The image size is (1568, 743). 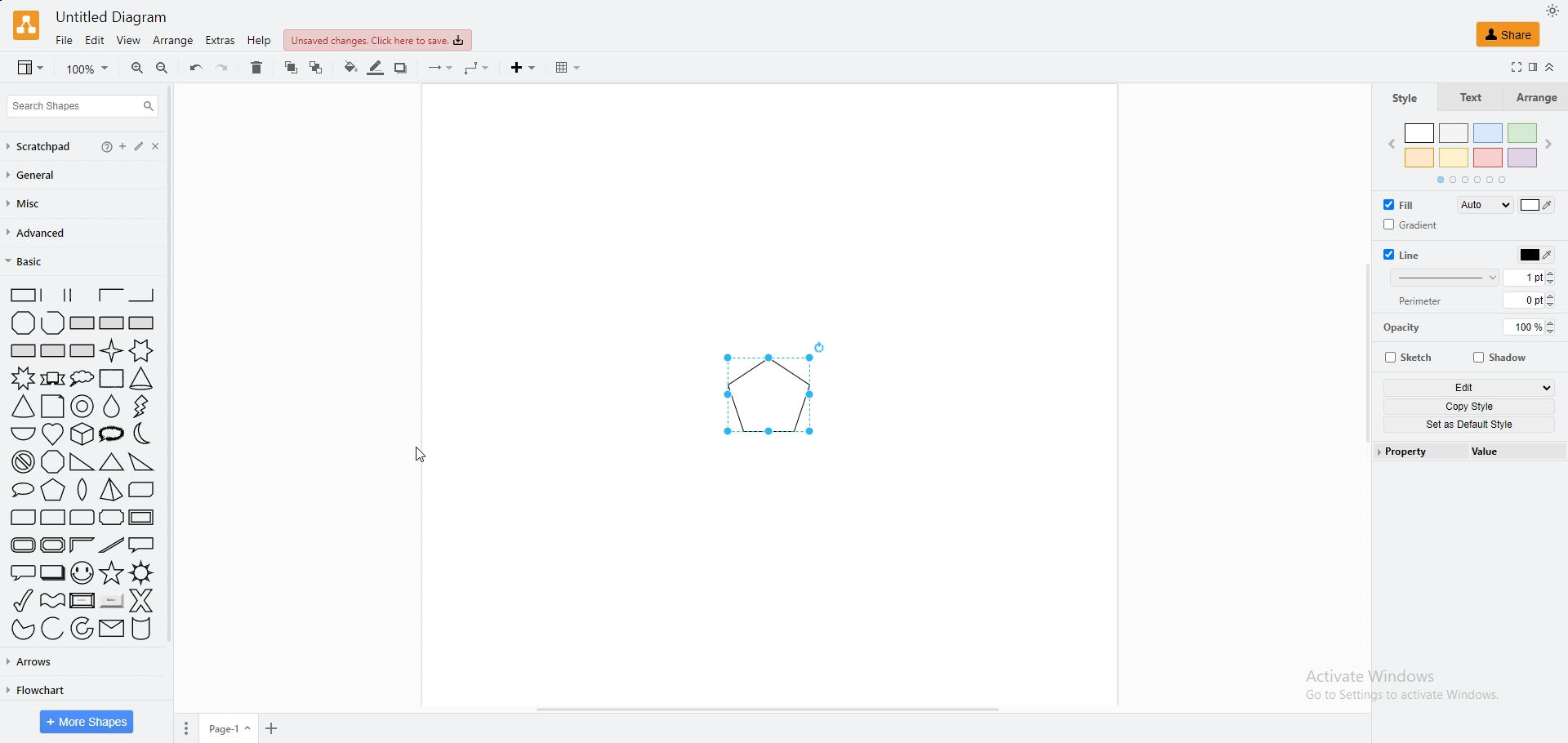 What do you see at coordinates (261, 42) in the screenshot?
I see `help` at bounding box center [261, 42].